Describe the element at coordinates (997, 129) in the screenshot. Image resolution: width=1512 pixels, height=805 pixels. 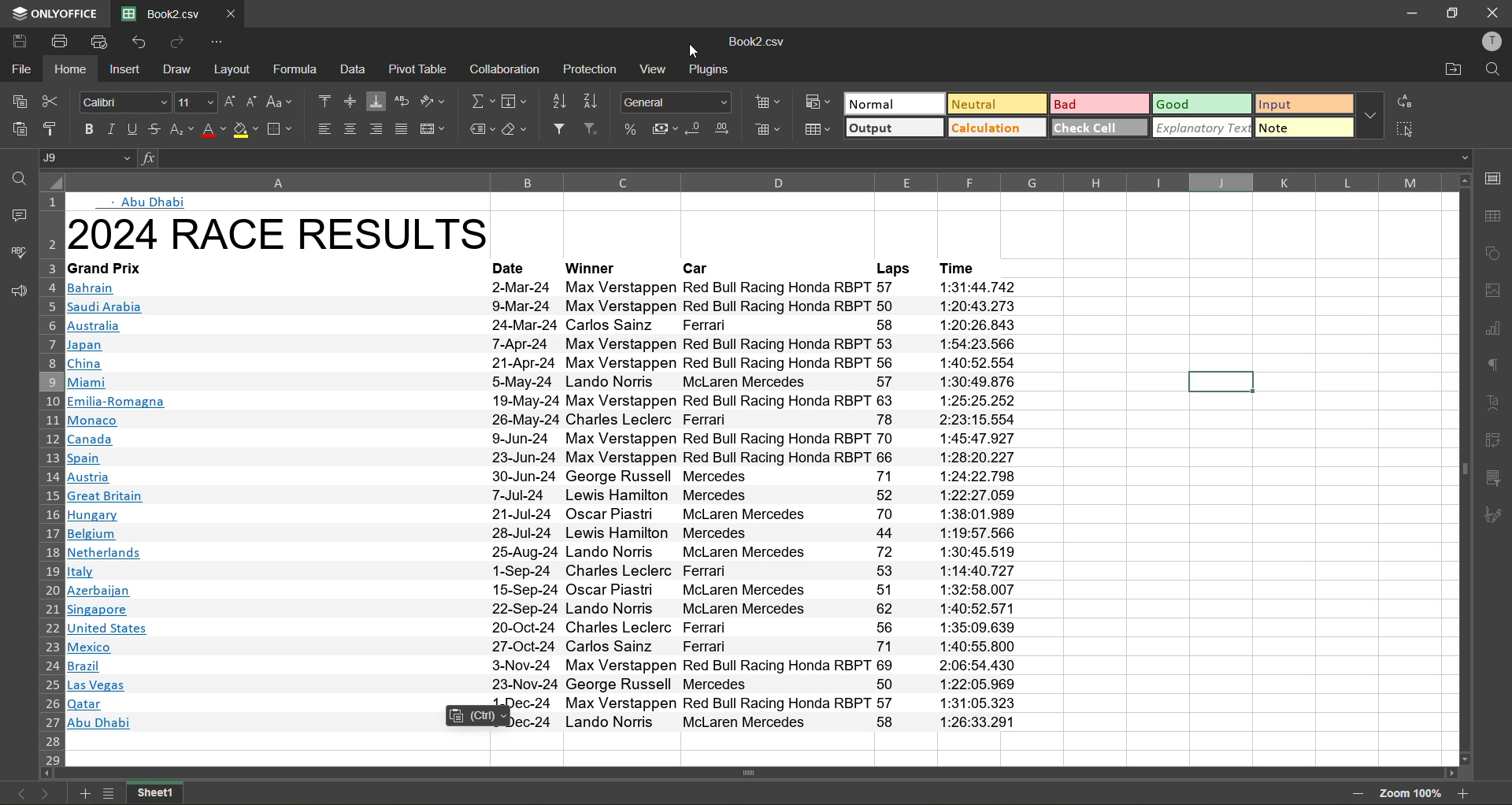
I see `calculation` at that location.